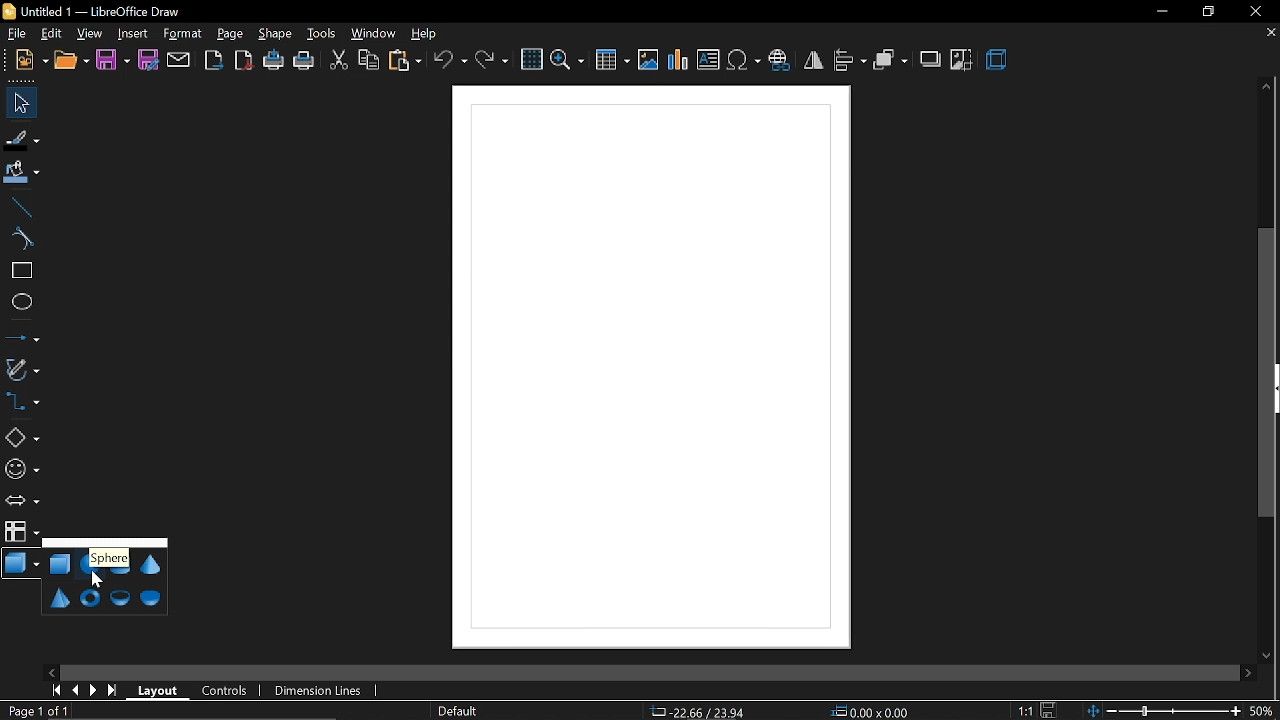  I want to click on undo, so click(450, 59).